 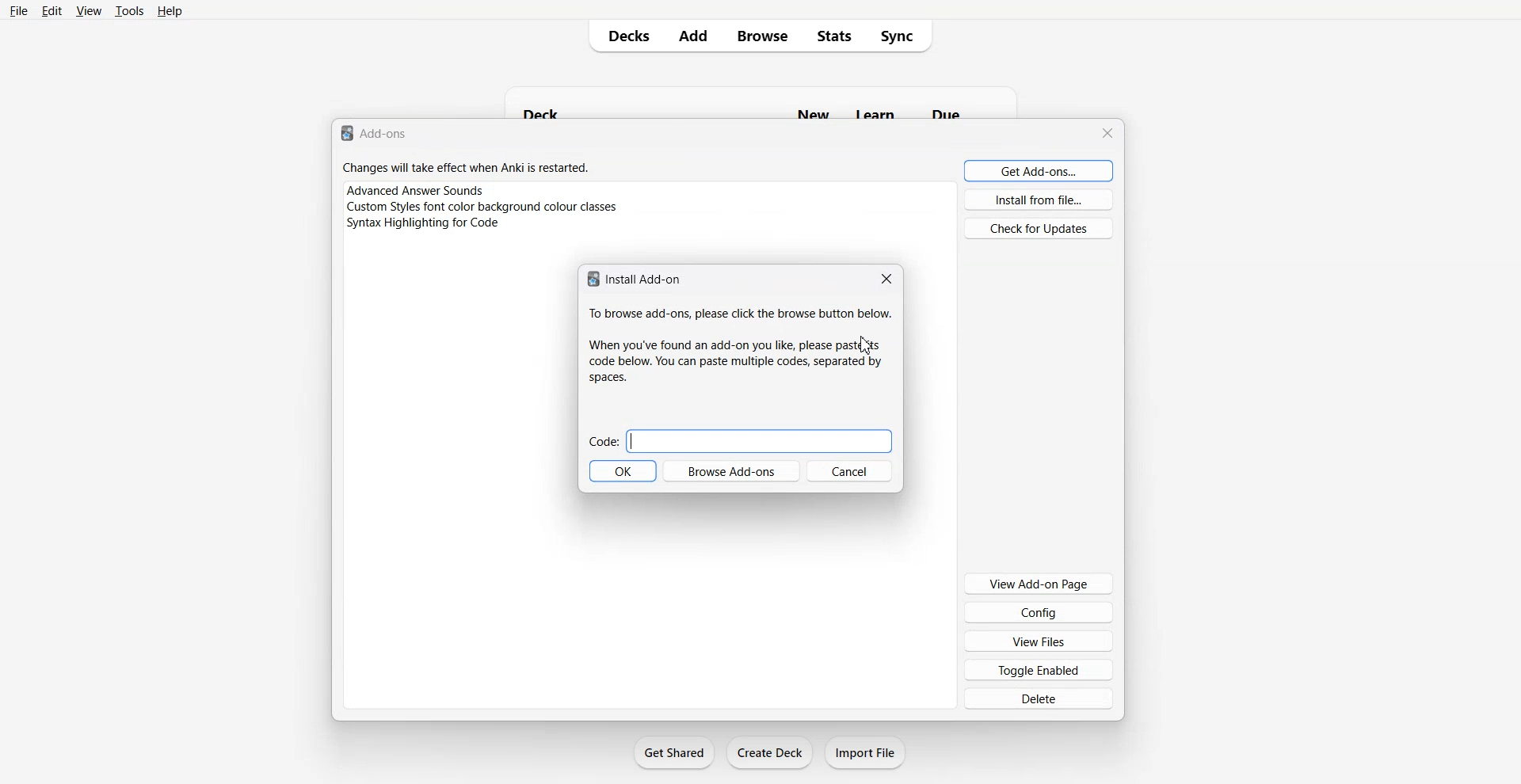 What do you see at coordinates (1039, 641) in the screenshot?
I see `View Files` at bounding box center [1039, 641].